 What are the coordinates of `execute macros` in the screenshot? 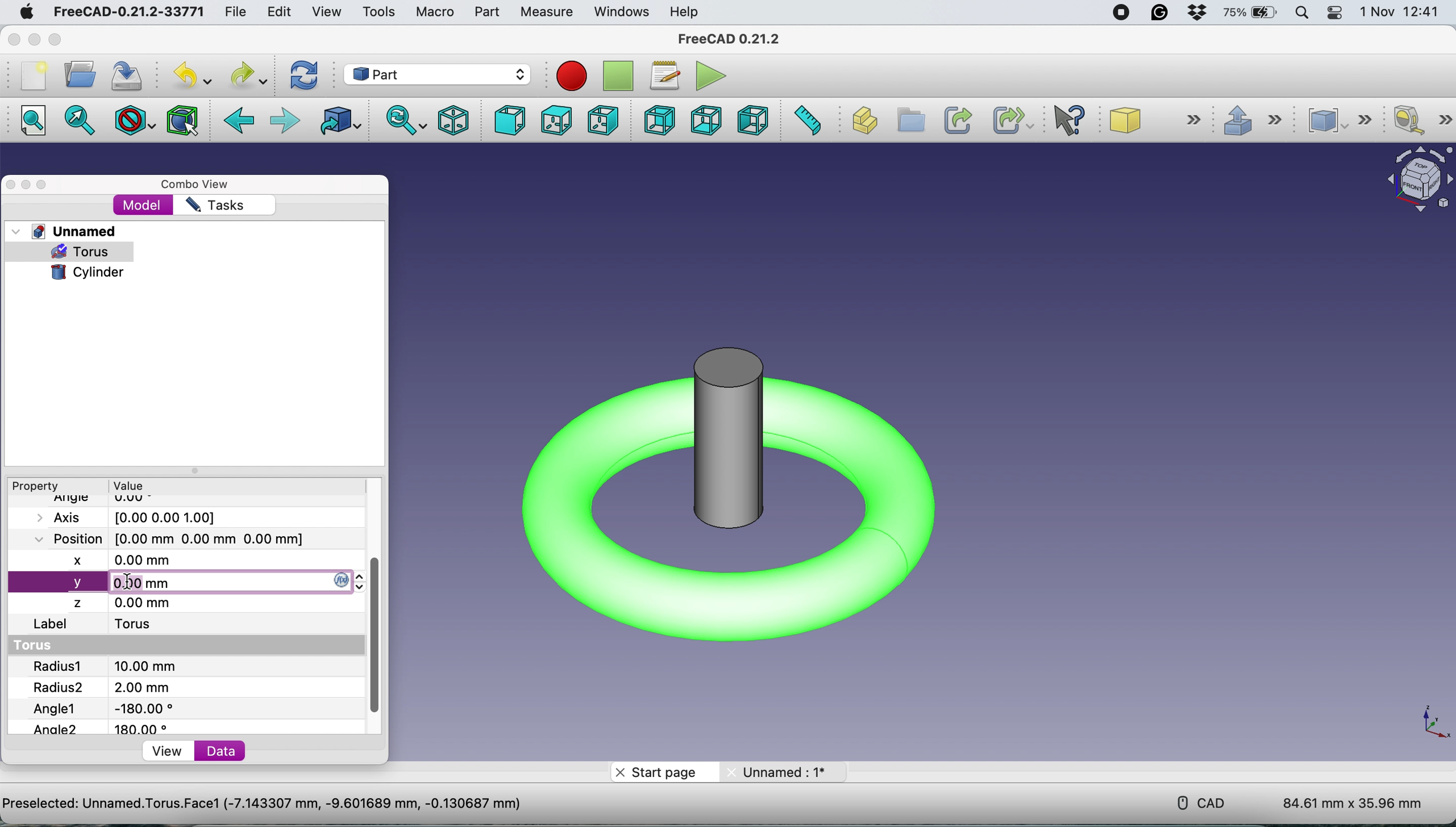 It's located at (714, 77).